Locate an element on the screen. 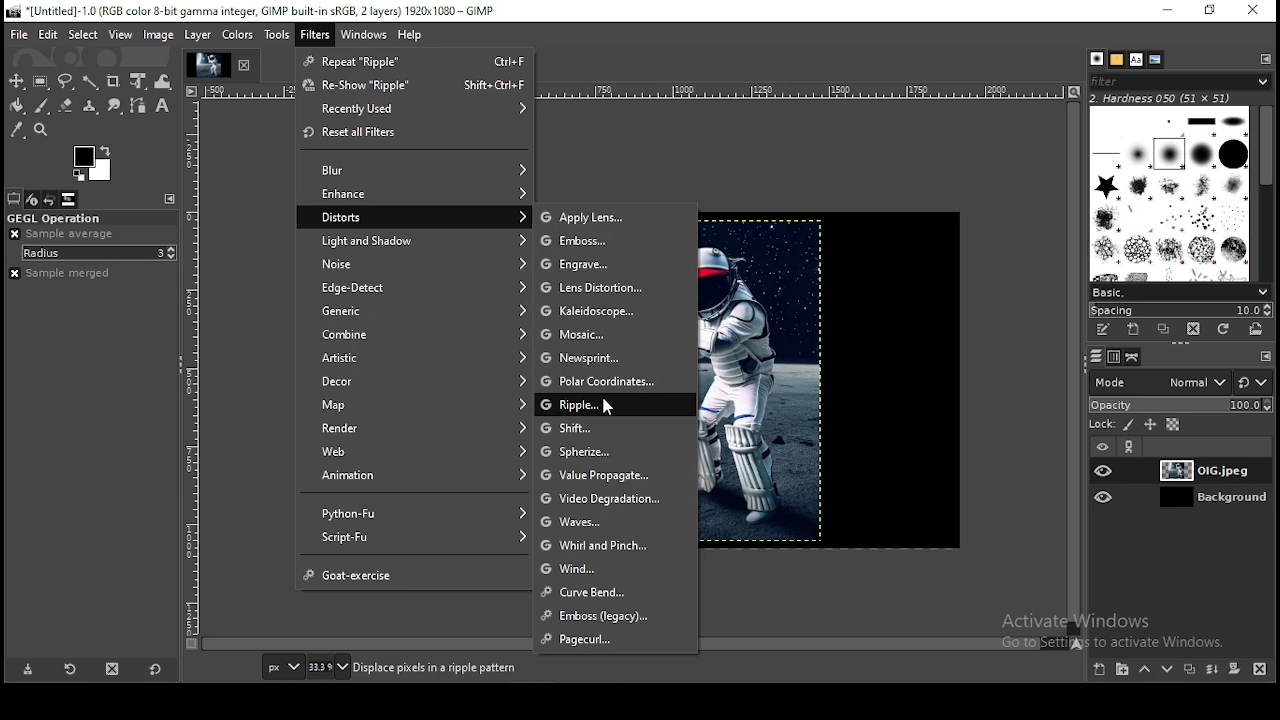 The image size is (1280, 720). generic is located at coordinates (421, 311).